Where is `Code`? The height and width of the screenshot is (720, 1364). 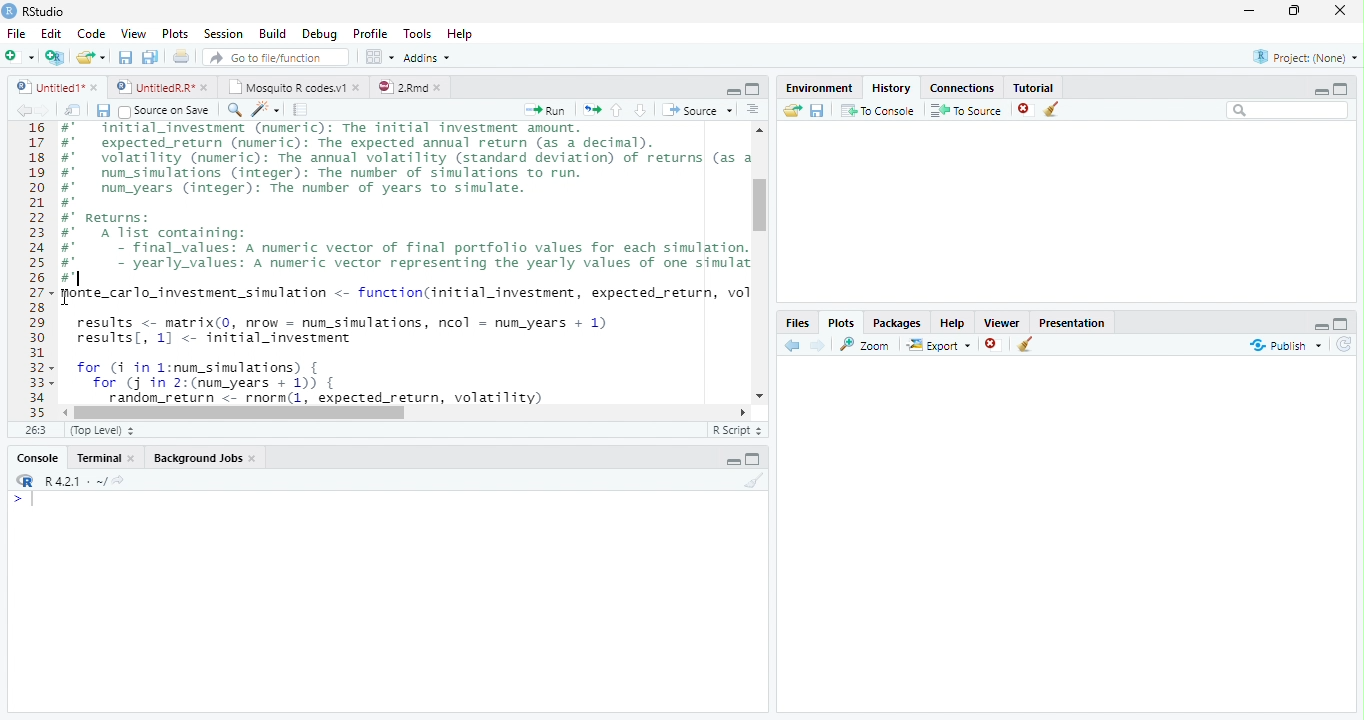
Code is located at coordinates (89, 33).